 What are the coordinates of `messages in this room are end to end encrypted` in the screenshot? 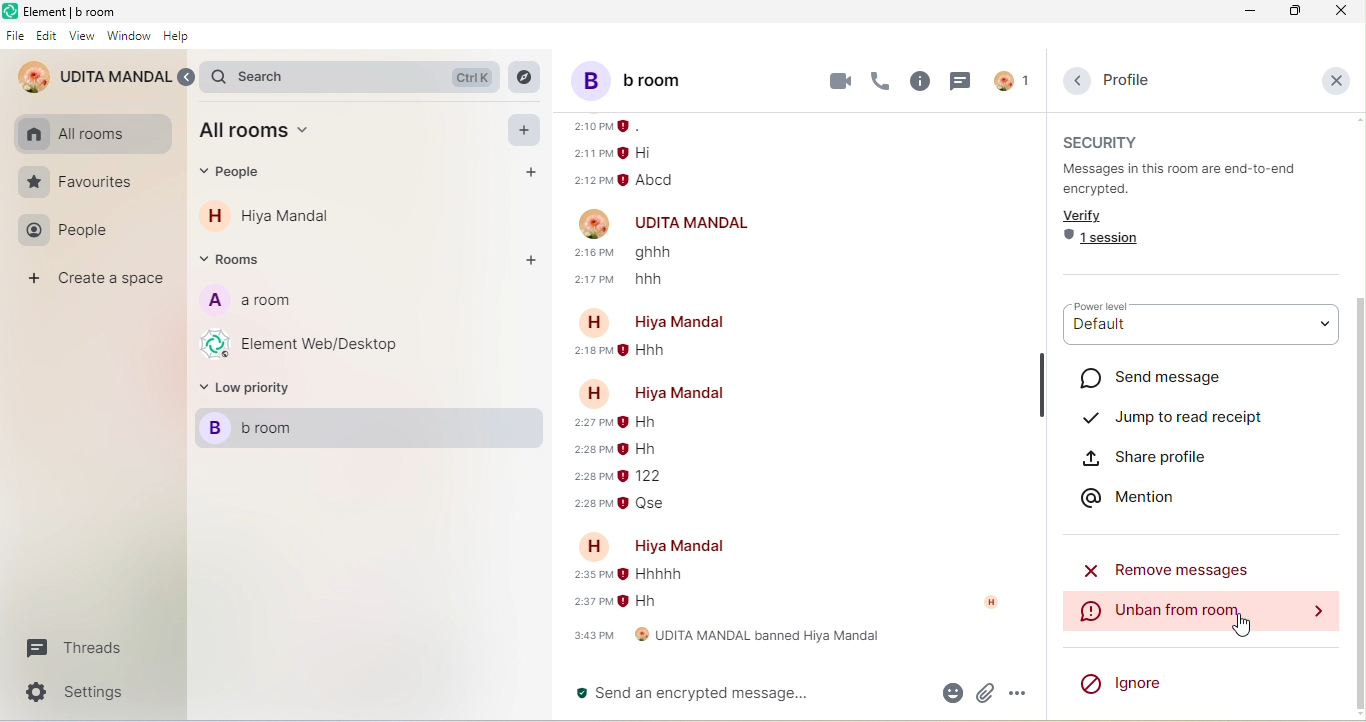 It's located at (1191, 179).